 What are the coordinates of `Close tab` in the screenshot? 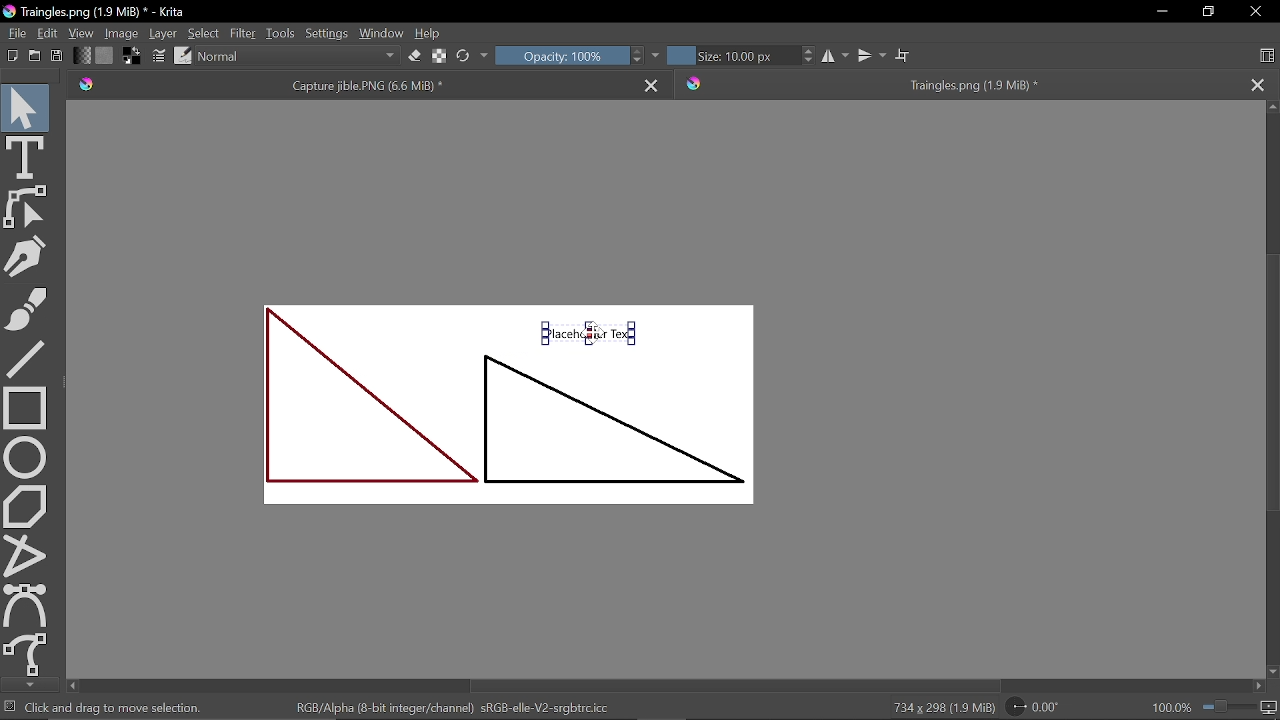 It's located at (653, 85).